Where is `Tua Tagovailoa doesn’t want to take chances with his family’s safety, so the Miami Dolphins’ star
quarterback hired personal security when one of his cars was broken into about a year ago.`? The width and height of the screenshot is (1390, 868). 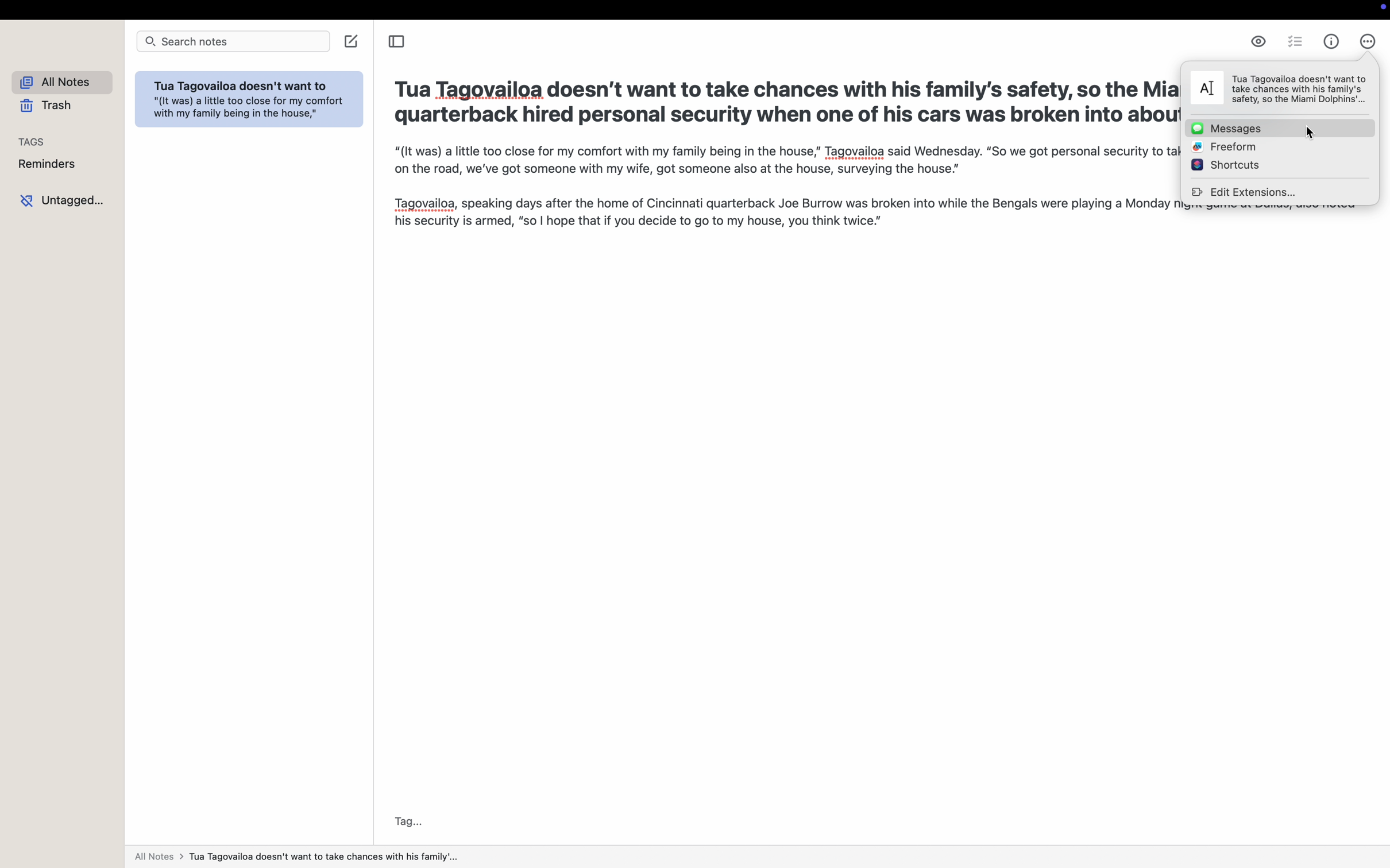 Tua Tagovailoa doesn’t want to take chances with his family’s safety, so the Miami Dolphins’ star
quarterback hired personal security when one of his cars was broken into about a year ago. is located at coordinates (785, 102).